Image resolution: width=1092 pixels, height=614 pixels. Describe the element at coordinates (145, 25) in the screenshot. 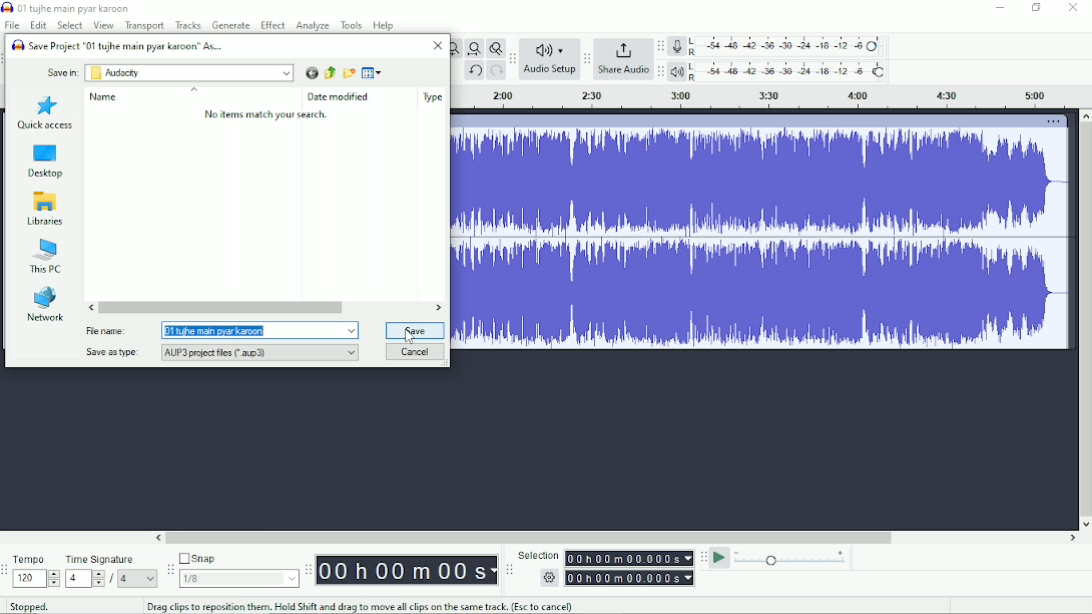

I see `Transport` at that location.